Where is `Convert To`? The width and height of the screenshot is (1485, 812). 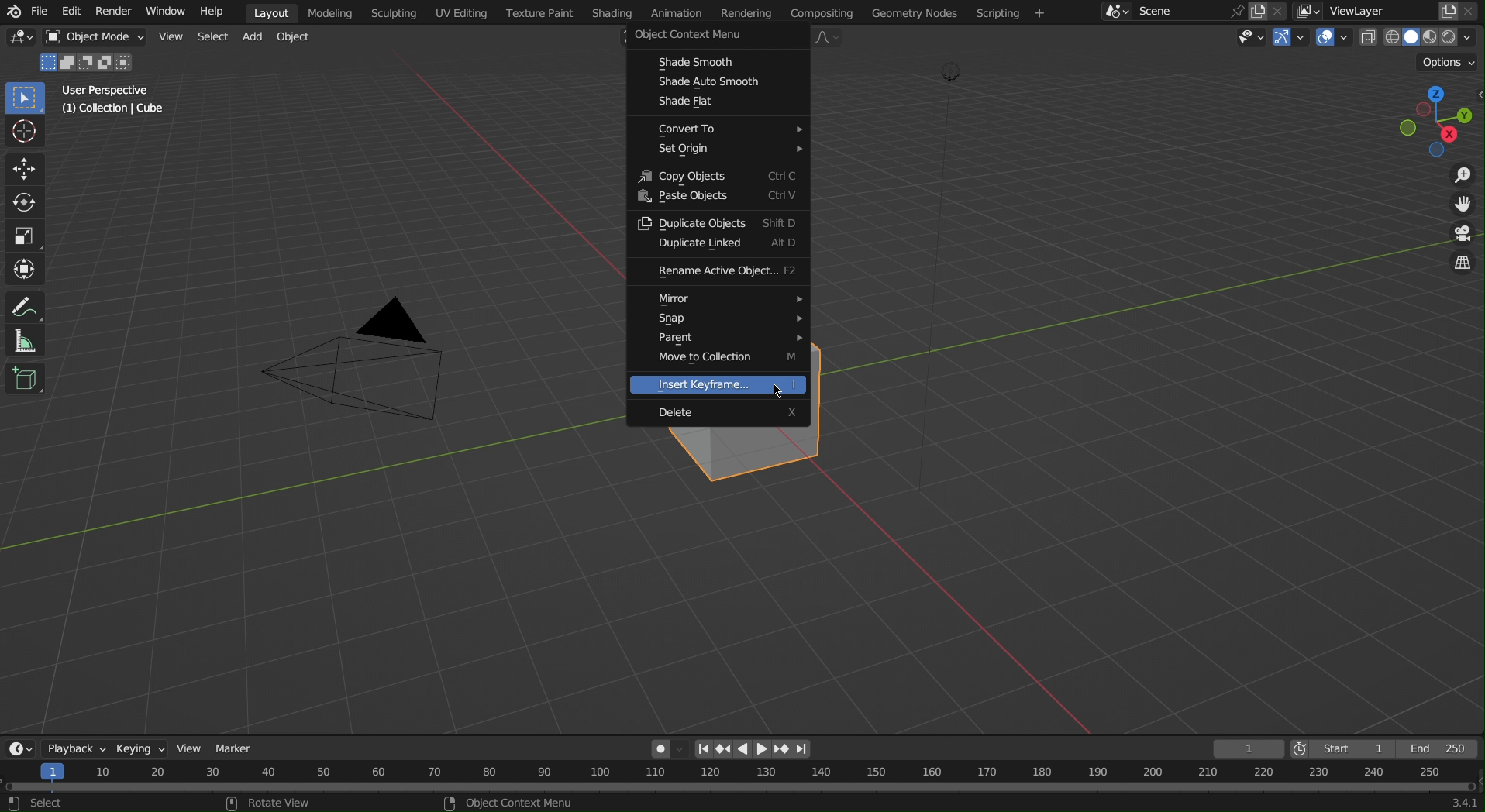
Convert To is located at coordinates (721, 128).